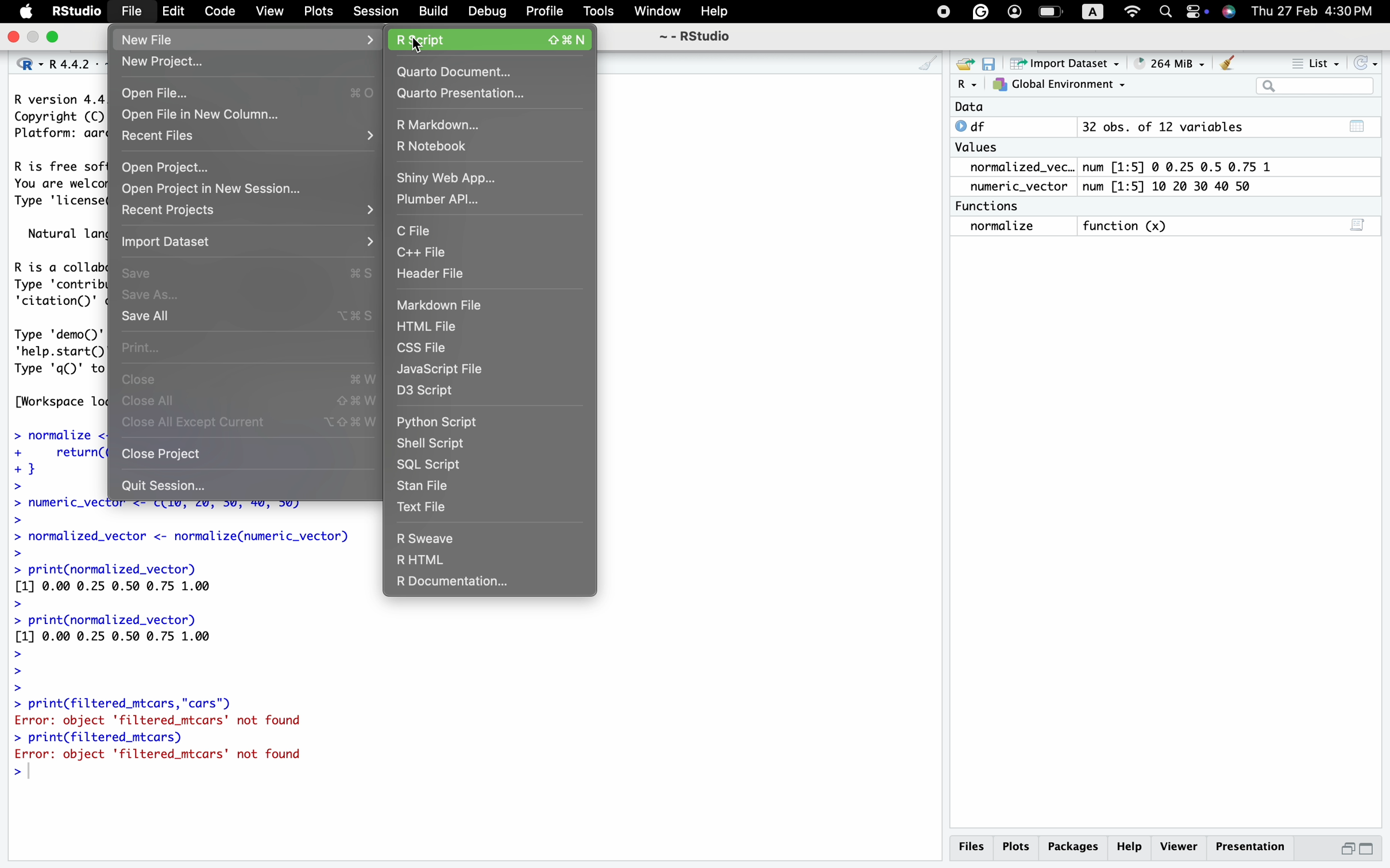 Image resolution: width=1390 pixels, height=868 pixels. Describe the element at coordinates (125, 653) in the screenshot. I see `> print(normalized_vector)
[1] 0.00 0.25 0.50 0.75 1.00` at that location.